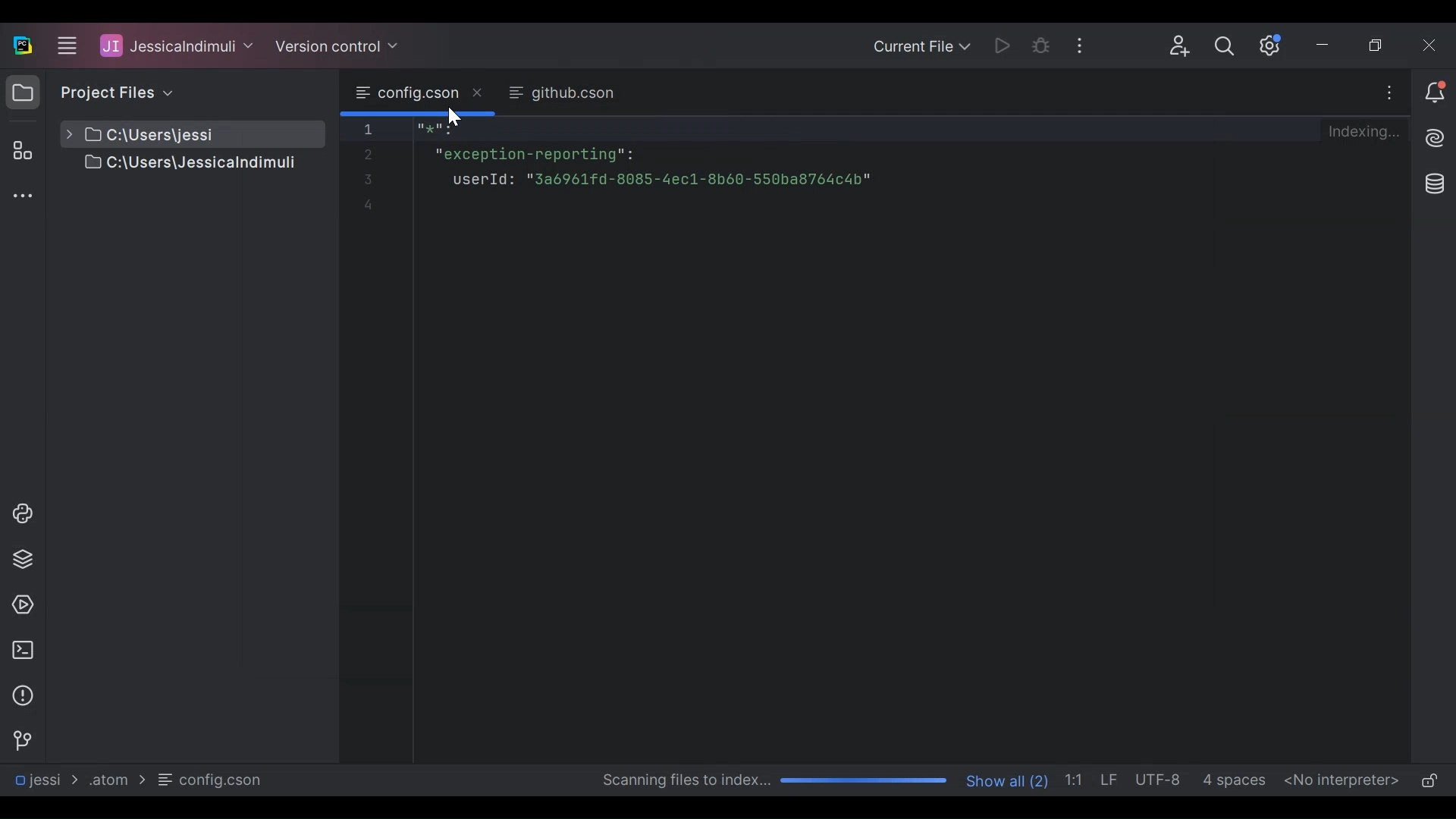 This screenshot has height=819, width=1456. Describe the element at coordinates (921, 46) in the screenshot. I see `Current File` at that location.